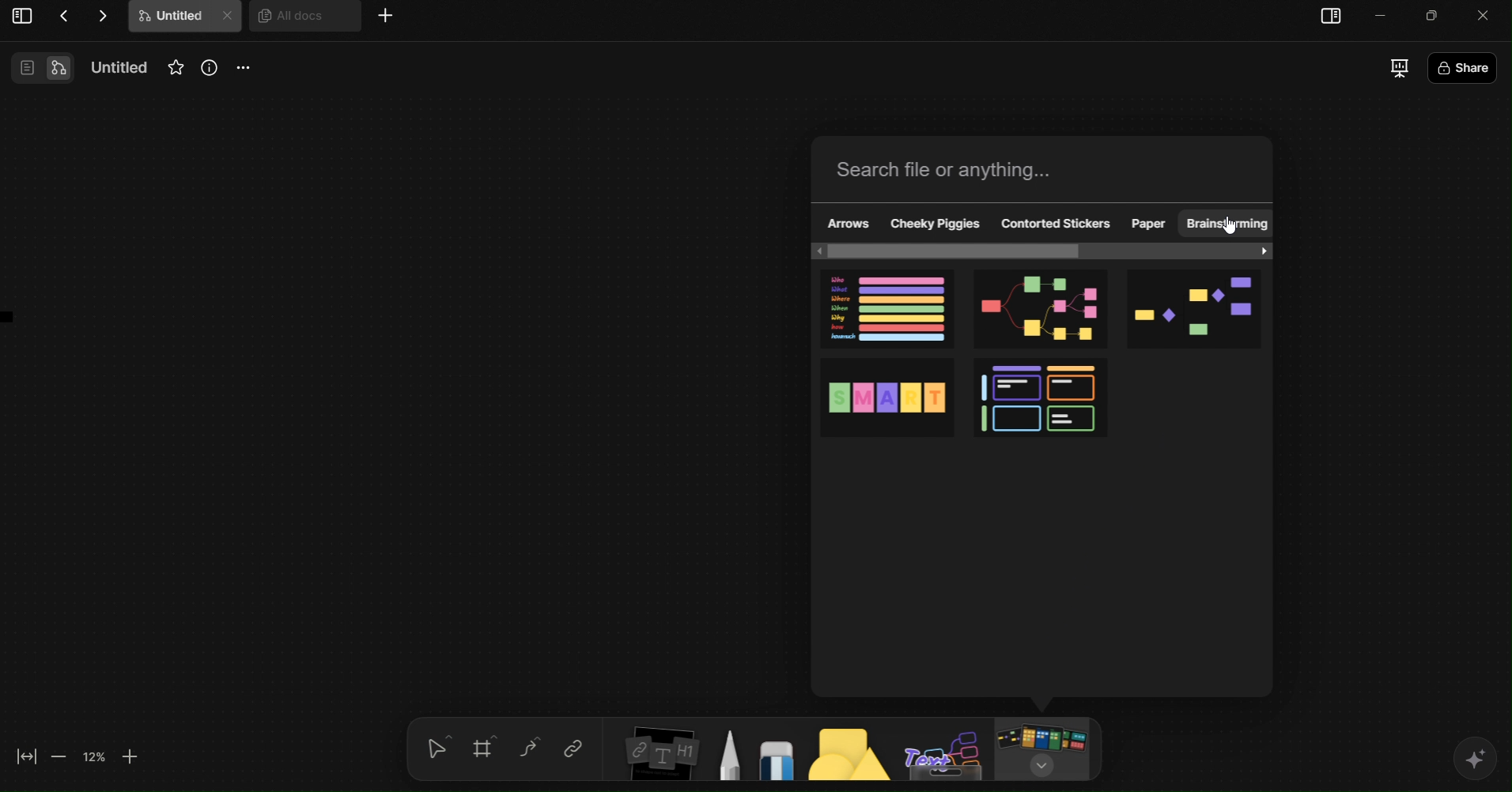 The image size is (1512, 792). What do you see at coordinates (1057, 223) in the screenshot?
I see `Contored Stickers` at bounding box center [1057, 223].